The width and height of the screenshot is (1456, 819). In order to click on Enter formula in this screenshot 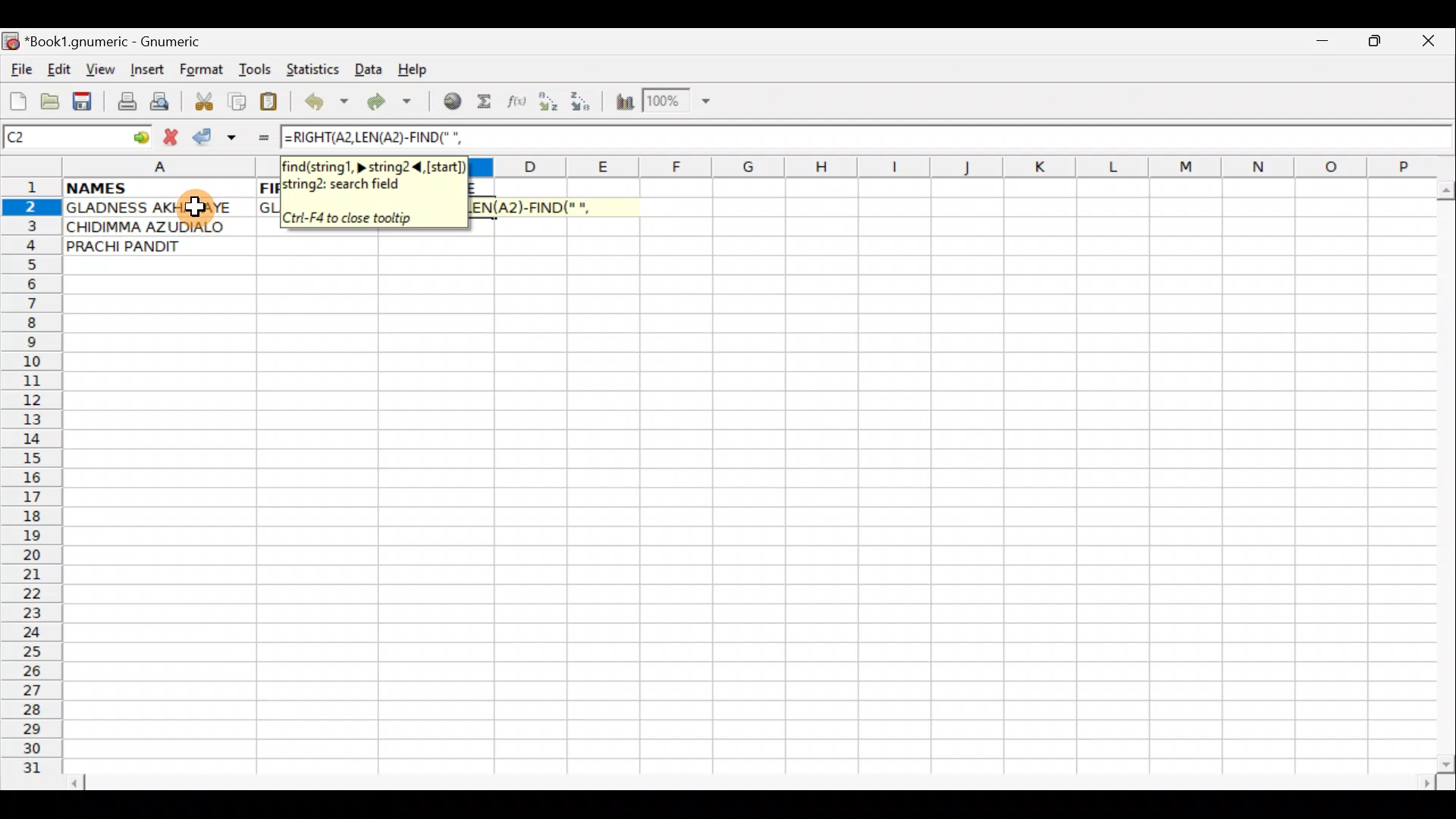, I will do `click(256, 137)`.